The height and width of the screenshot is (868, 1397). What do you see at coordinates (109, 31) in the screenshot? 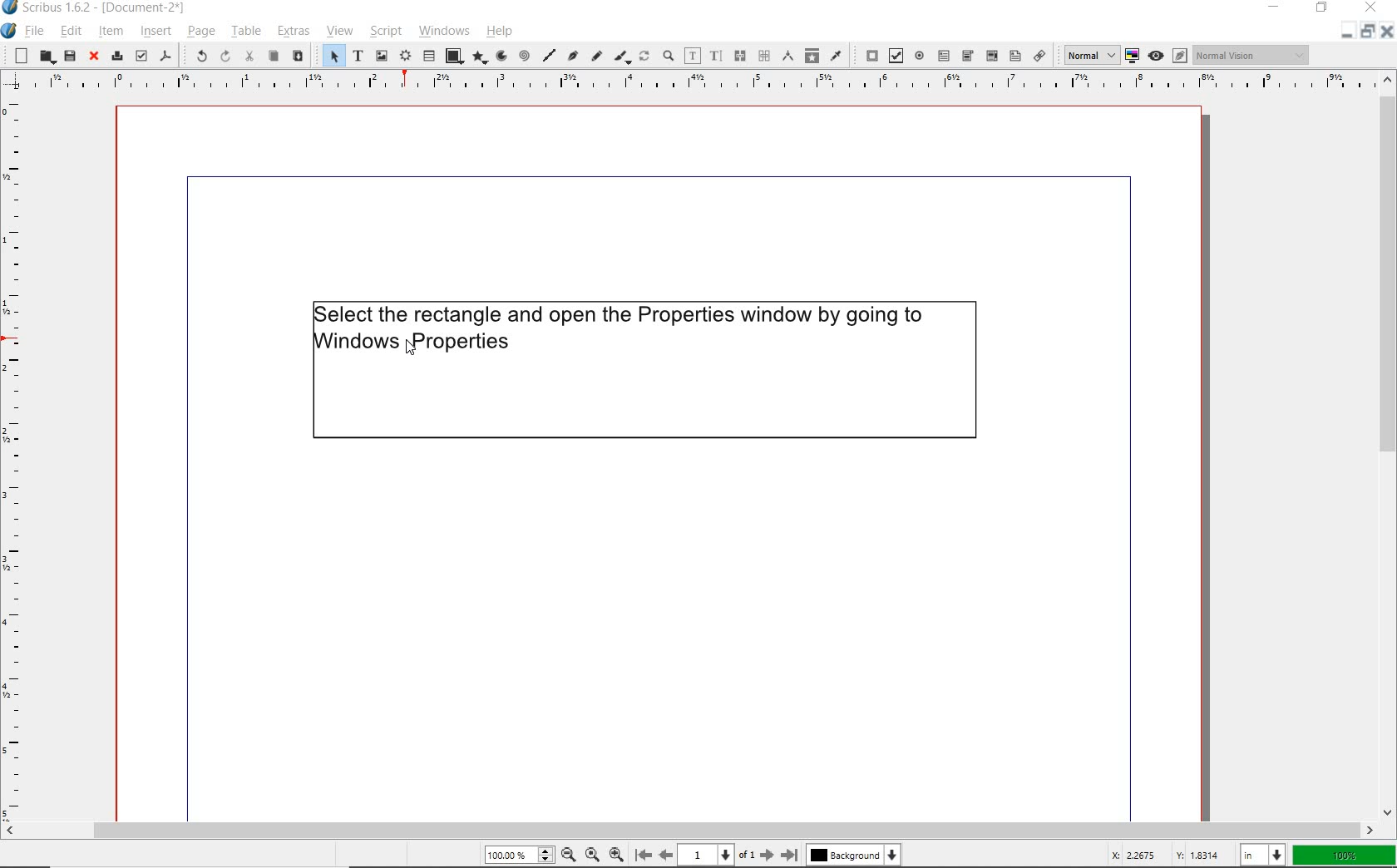
I see `item` at bounding box center [109, 31].